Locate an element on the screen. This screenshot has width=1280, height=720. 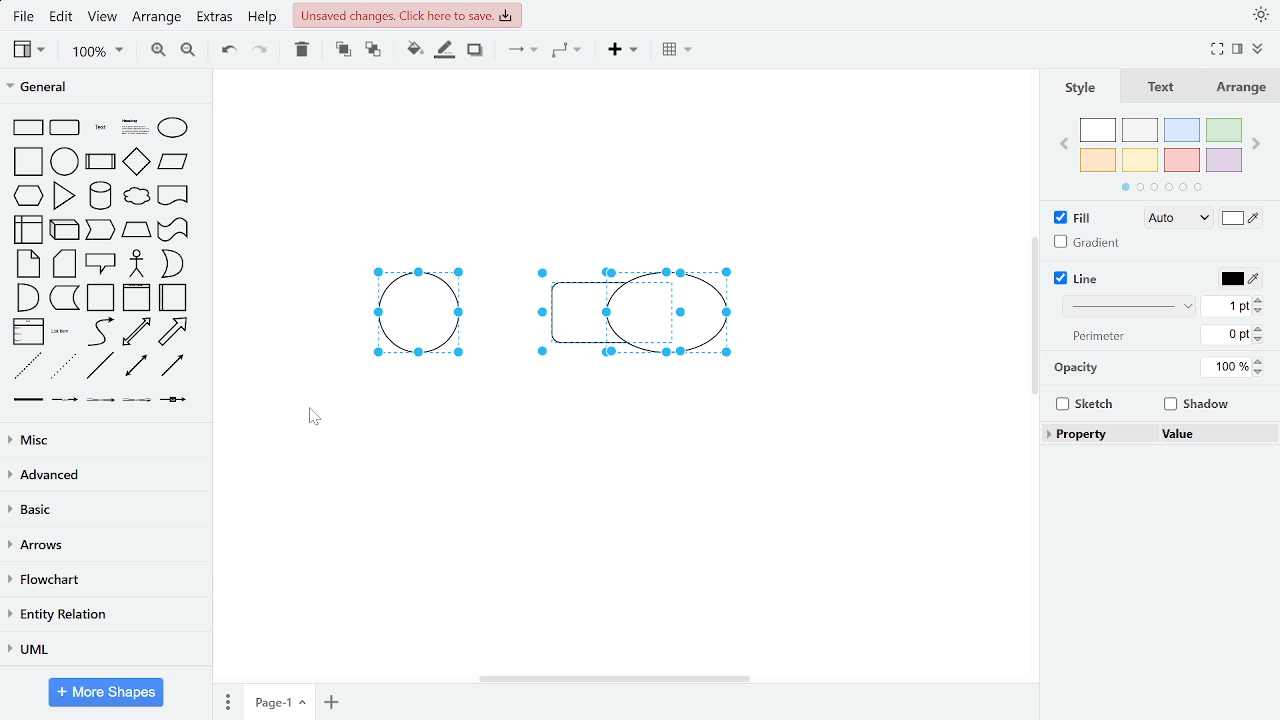
misc is located at coordinates (102, 440).